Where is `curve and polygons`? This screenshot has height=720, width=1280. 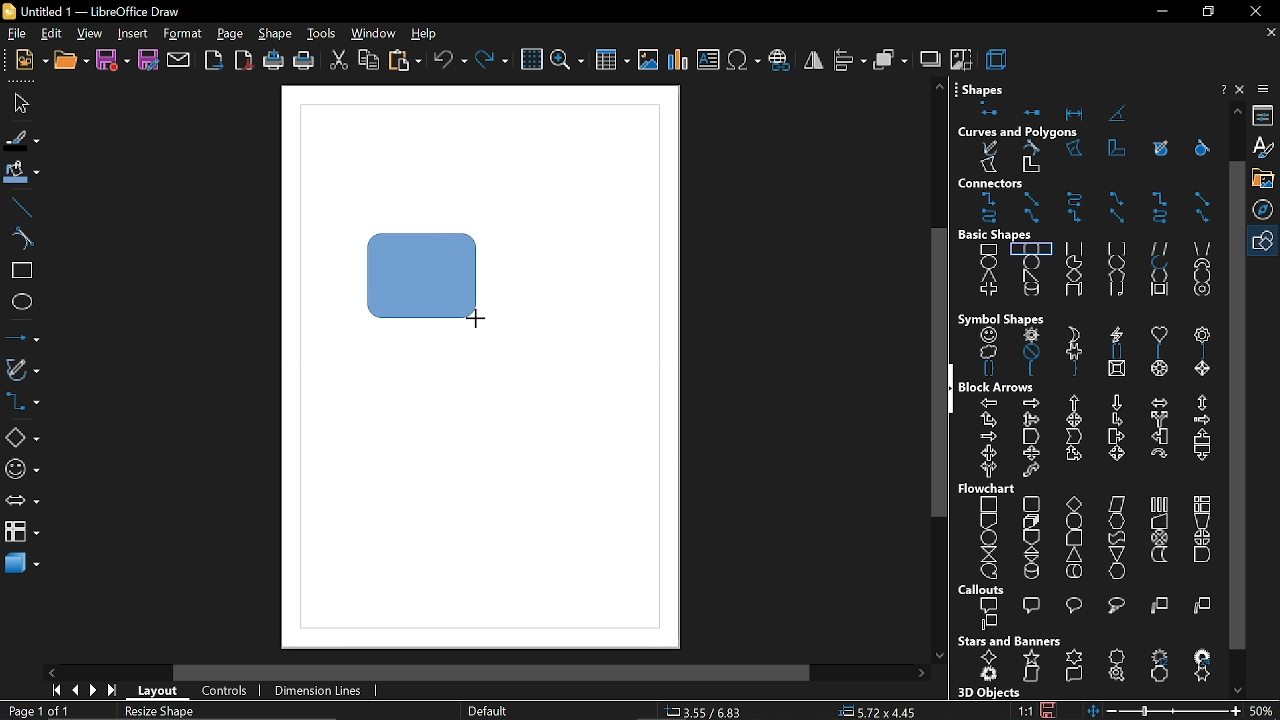 curve and polygons is located at coordinates (23, 371).